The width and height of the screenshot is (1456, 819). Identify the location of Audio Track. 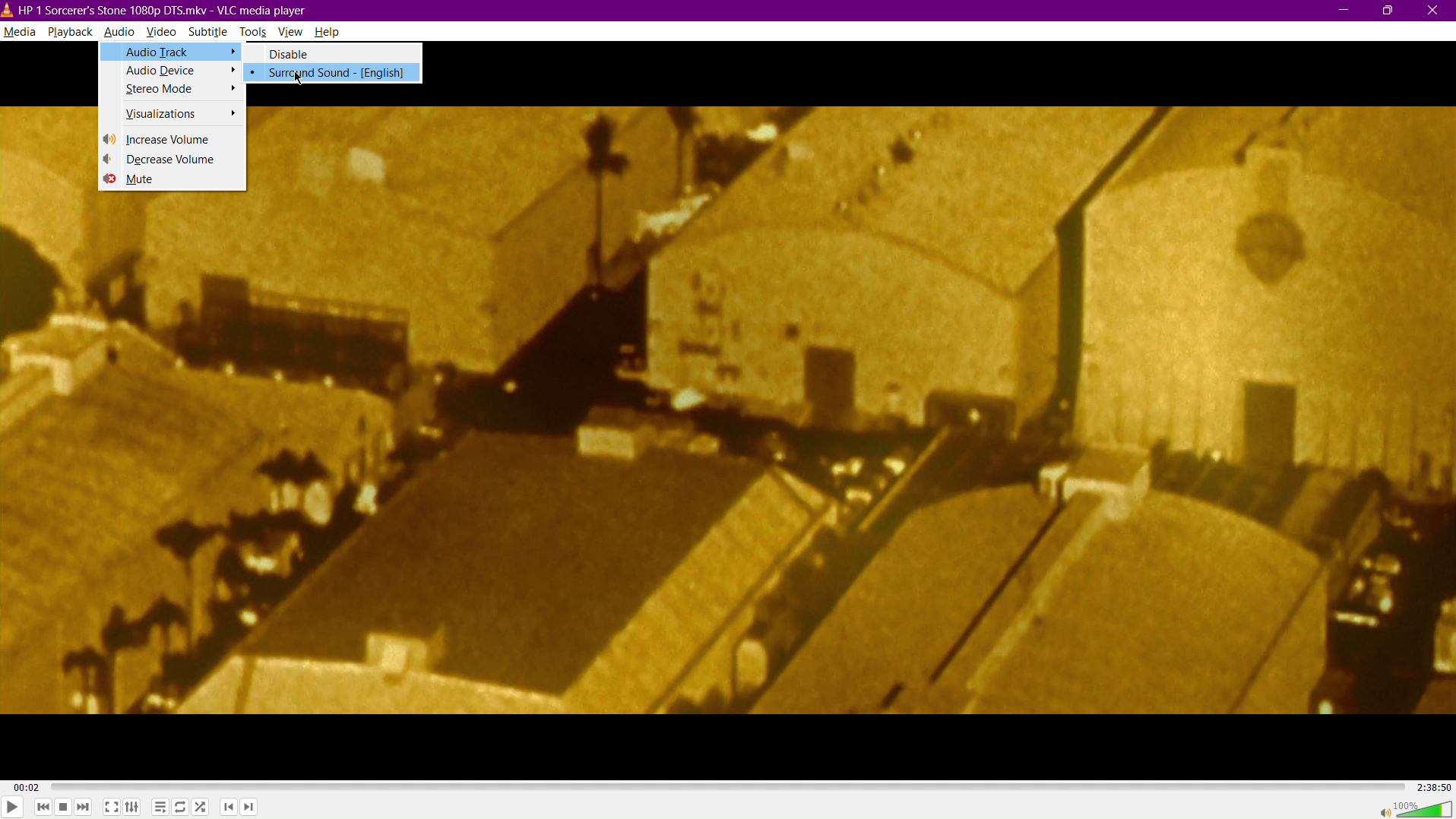
(172, 52).